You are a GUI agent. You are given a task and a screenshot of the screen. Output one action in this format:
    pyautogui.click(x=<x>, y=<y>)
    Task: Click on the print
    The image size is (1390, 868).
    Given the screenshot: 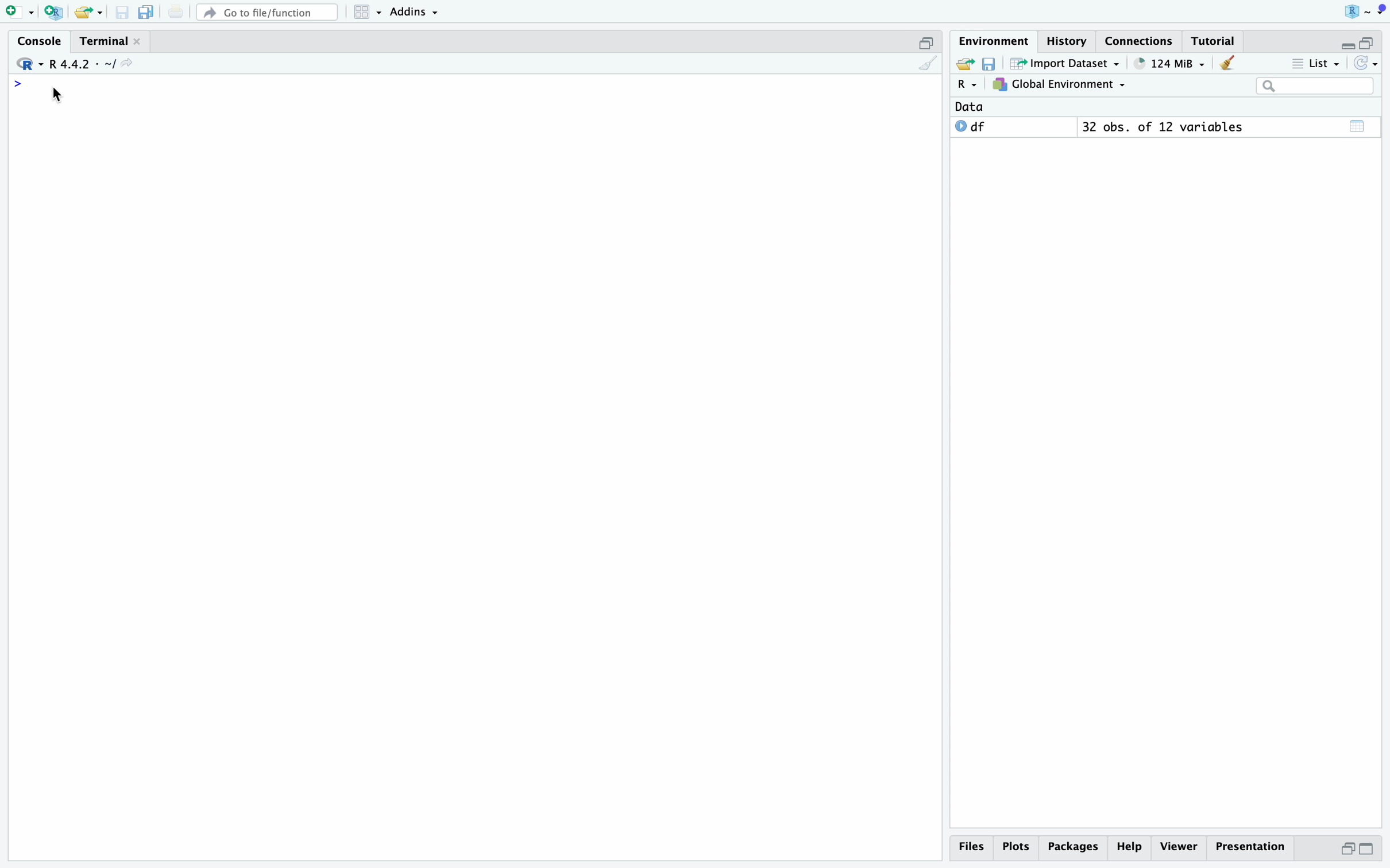 What is the action you would take?
    pyautogui.click(x=176, y=11)
    